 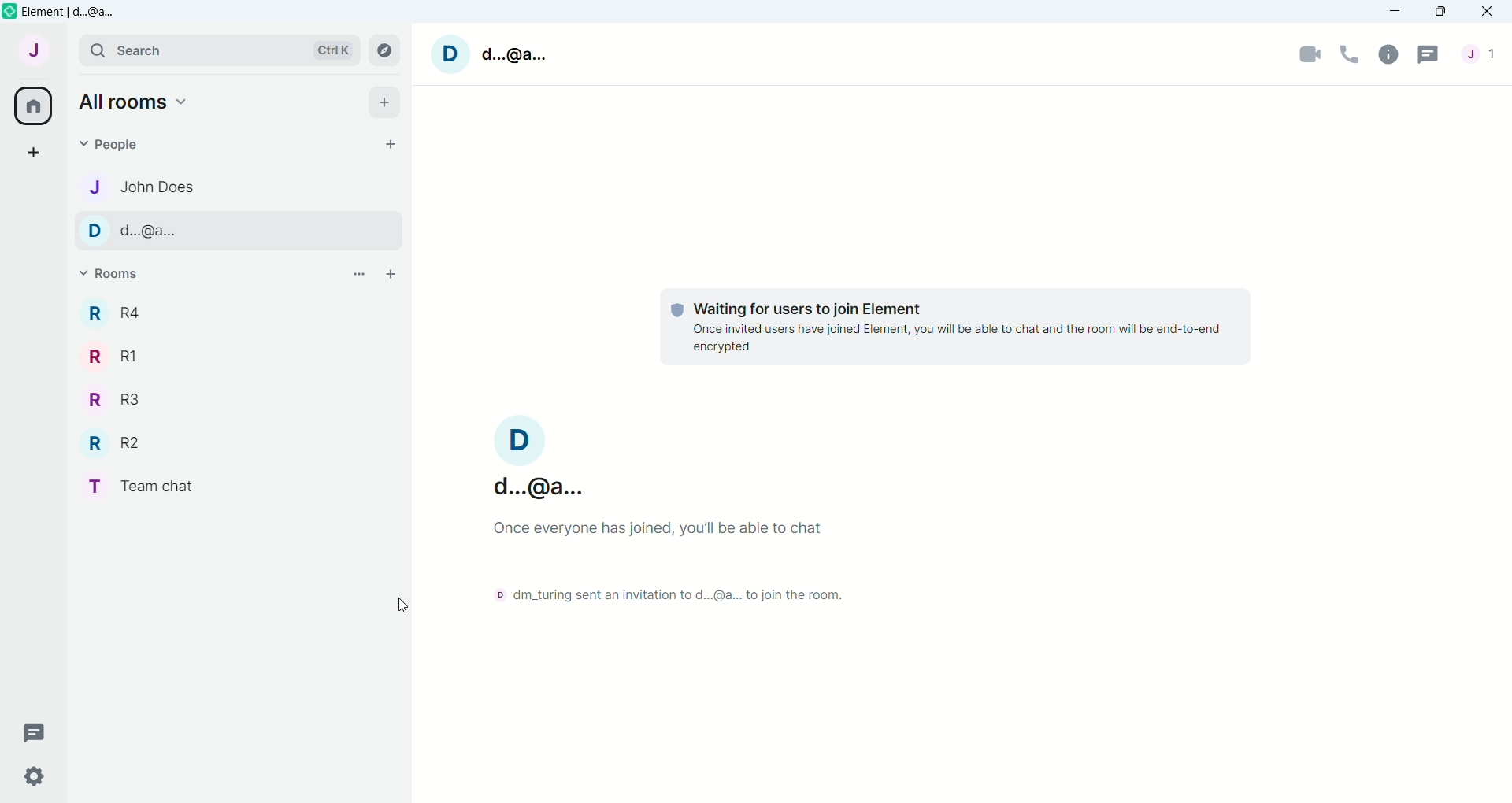 I want to click on Search bar, so click(x=217, y=51).